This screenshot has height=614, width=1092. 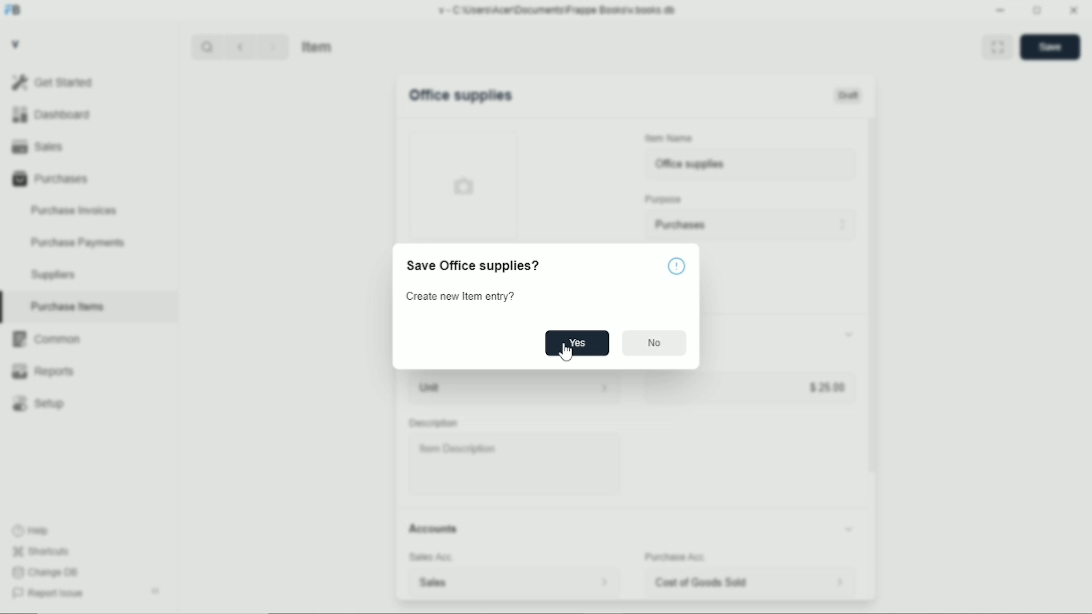 What do you see at coordinates (54, 114) in the screenshot?
I see `dashboard` at bounding box center [54, 114].